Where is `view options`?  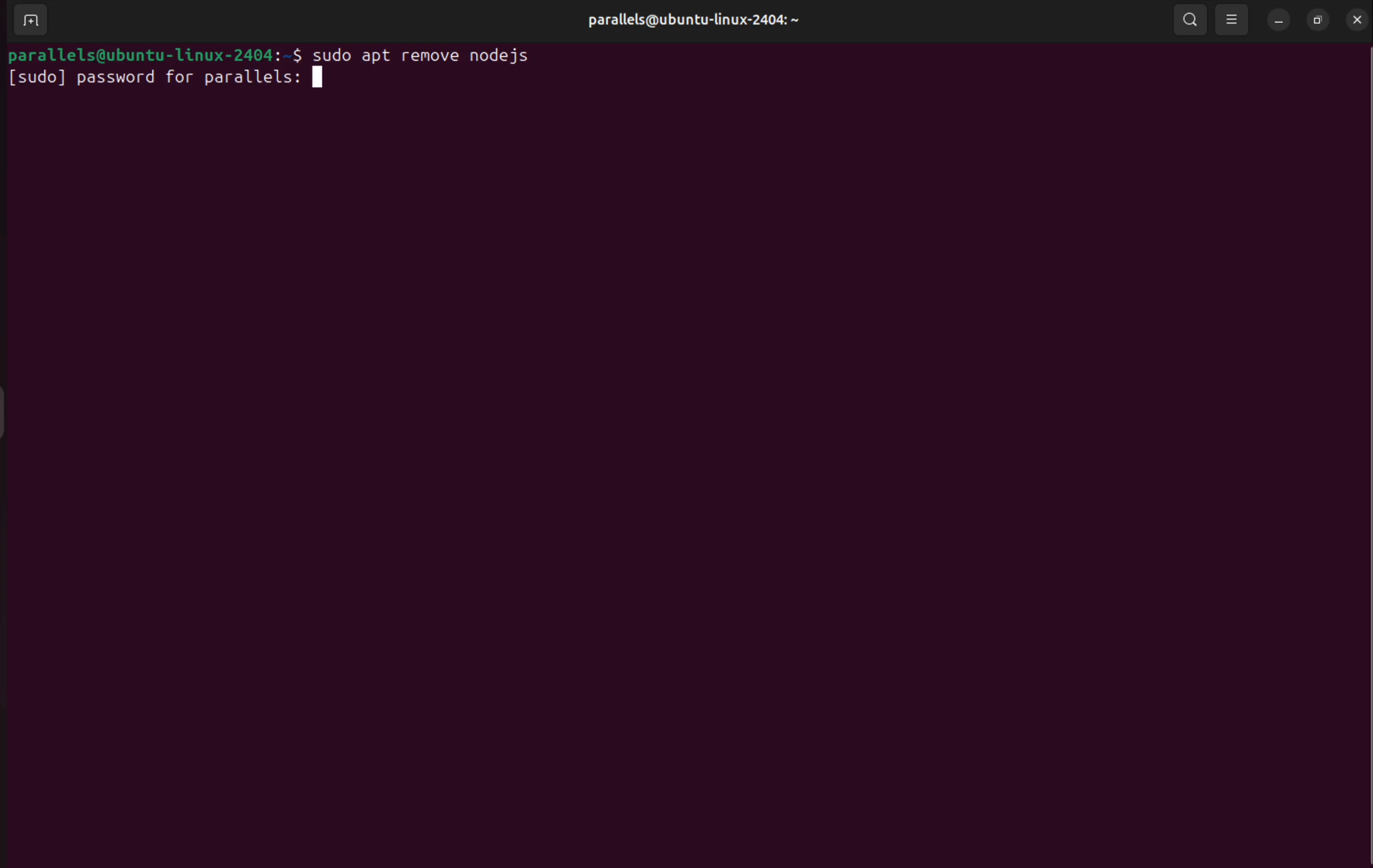
view options is located at coordinates (1231, 21).